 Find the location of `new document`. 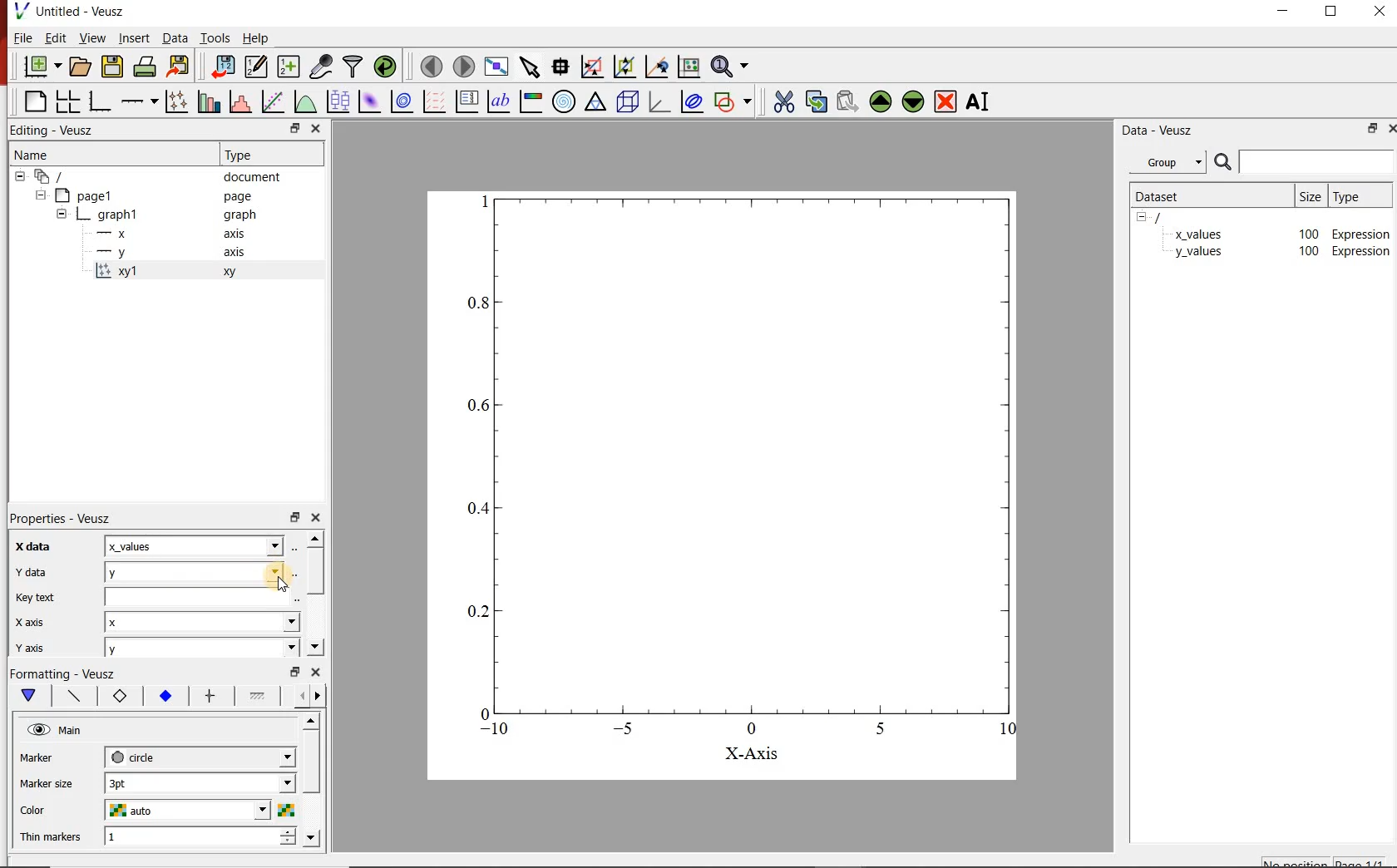

new document is located at coordinates (42, 65).